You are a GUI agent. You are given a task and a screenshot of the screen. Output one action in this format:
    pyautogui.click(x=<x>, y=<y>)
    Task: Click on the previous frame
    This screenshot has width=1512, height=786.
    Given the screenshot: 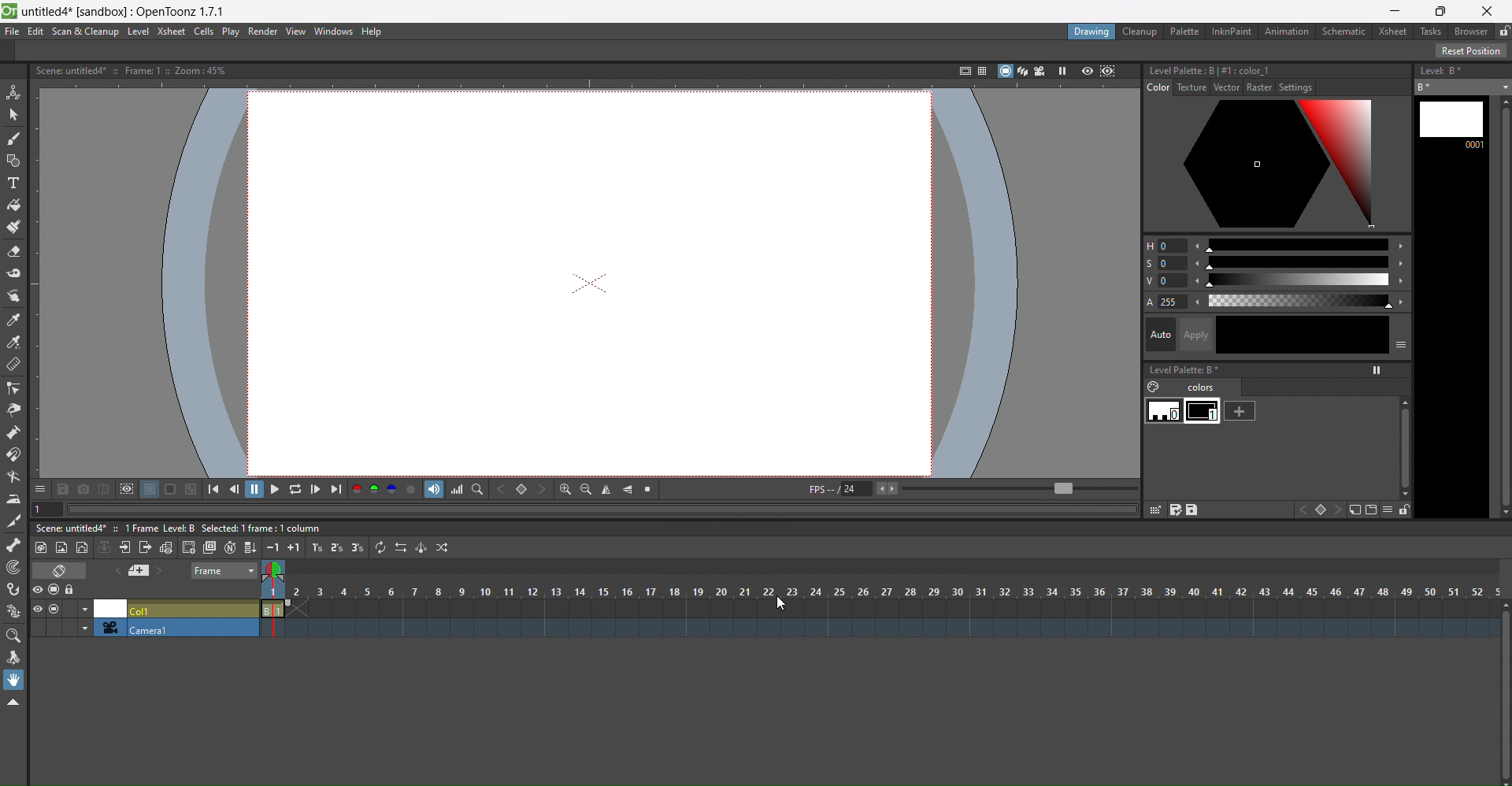 What is the action you would take?
    pyautogui.click(x=237, y=488)
    